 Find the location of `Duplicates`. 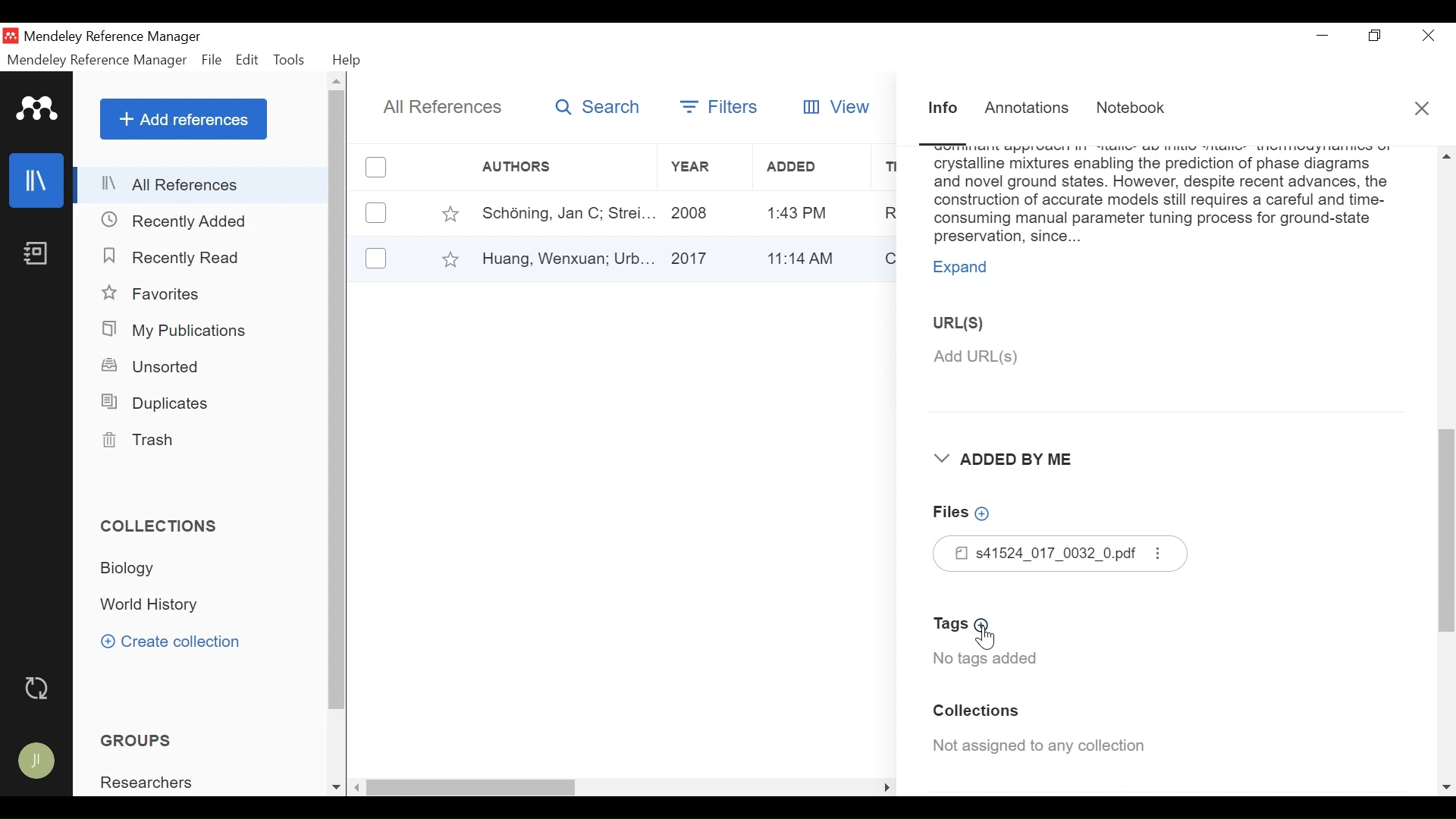

Duplicates is located at coordinates (153, 403).